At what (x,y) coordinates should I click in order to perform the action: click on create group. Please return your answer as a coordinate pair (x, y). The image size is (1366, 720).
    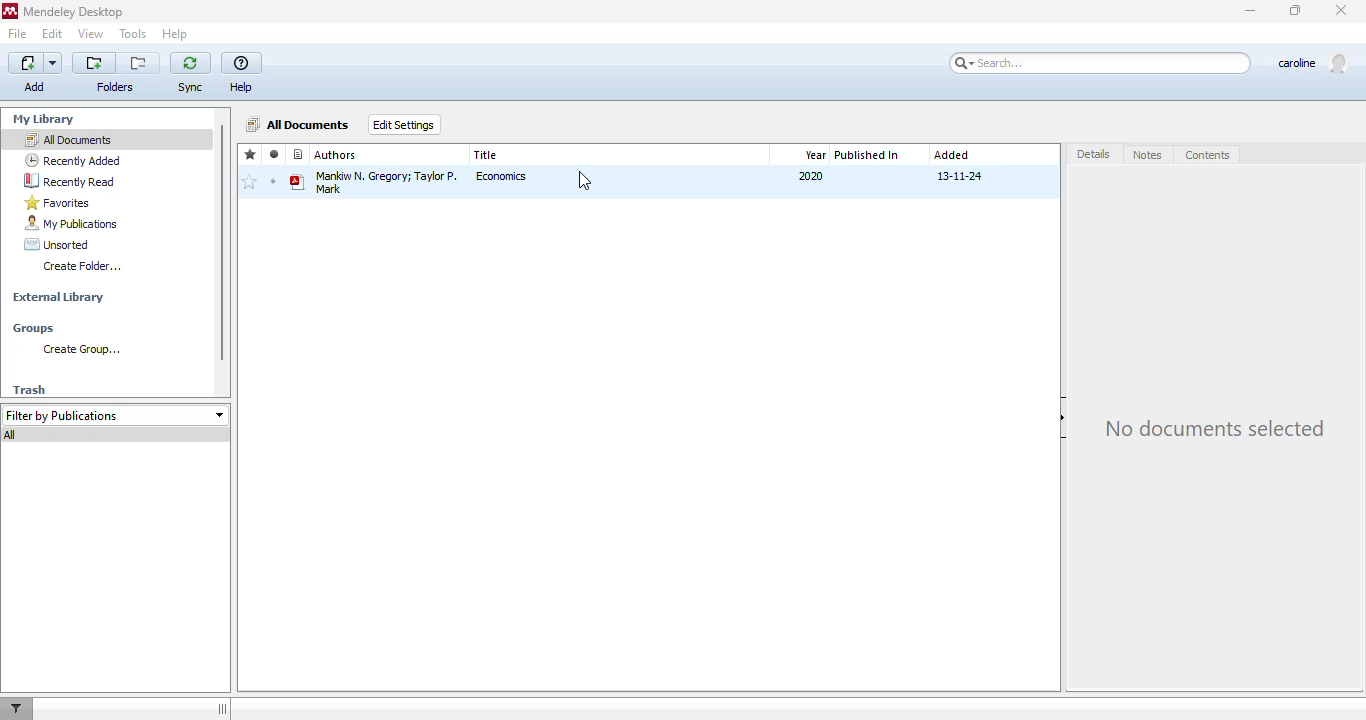
    Looking at the image, I should click on (80, 350).